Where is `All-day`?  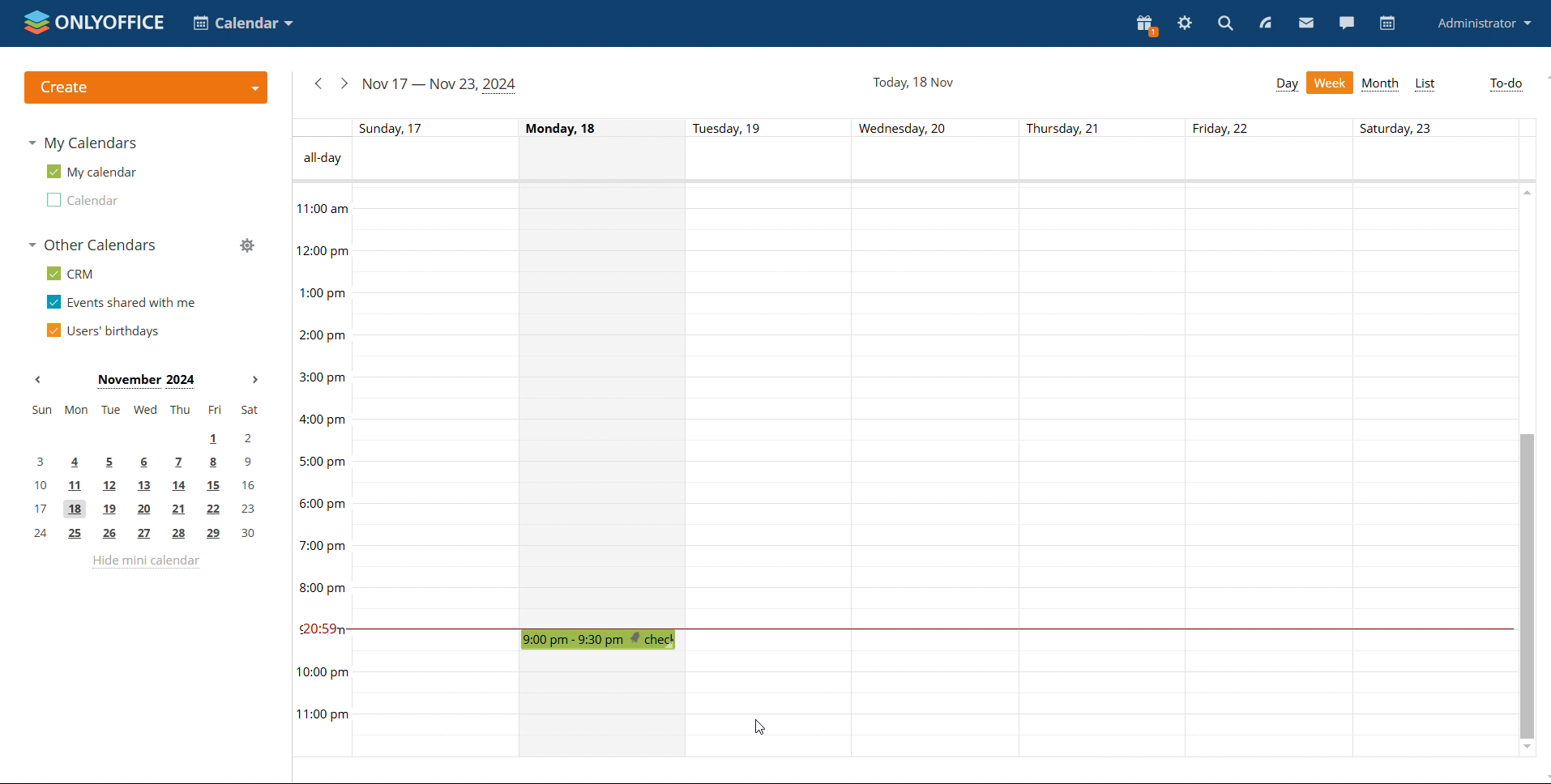
All-day is located at coordinates (321, 159).